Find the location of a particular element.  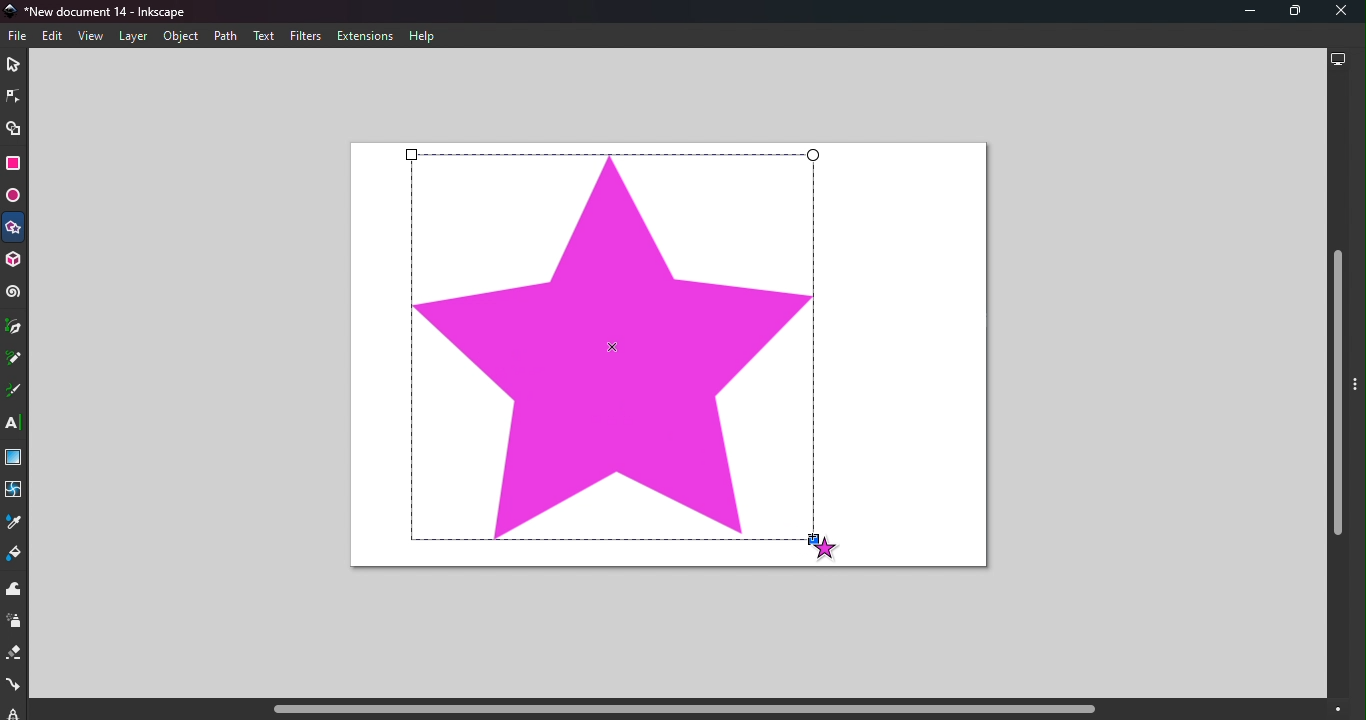

Dropper tool is located at coordinates (12, 526).